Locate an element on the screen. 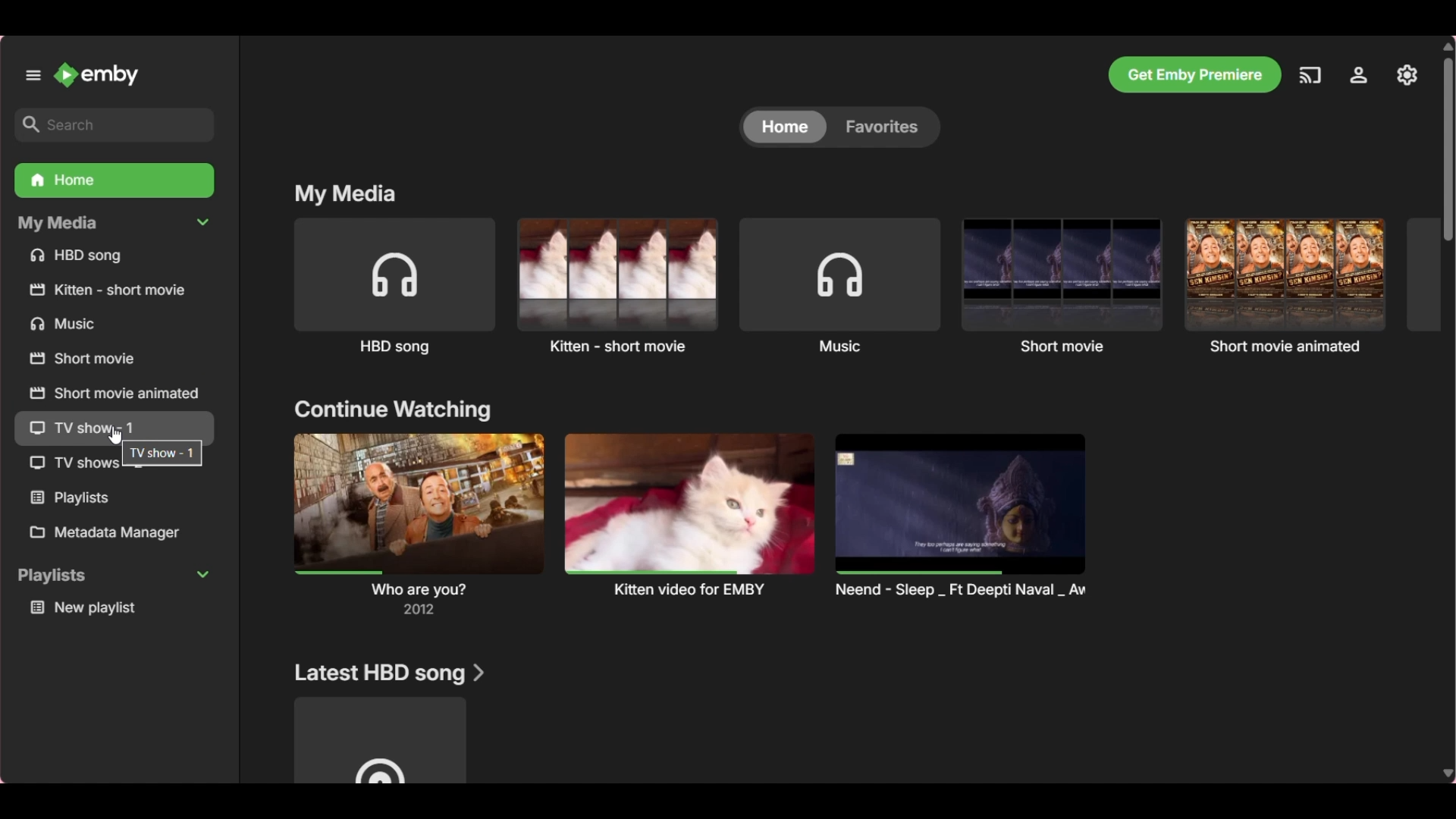  Song is located at coordinates (115, 256).